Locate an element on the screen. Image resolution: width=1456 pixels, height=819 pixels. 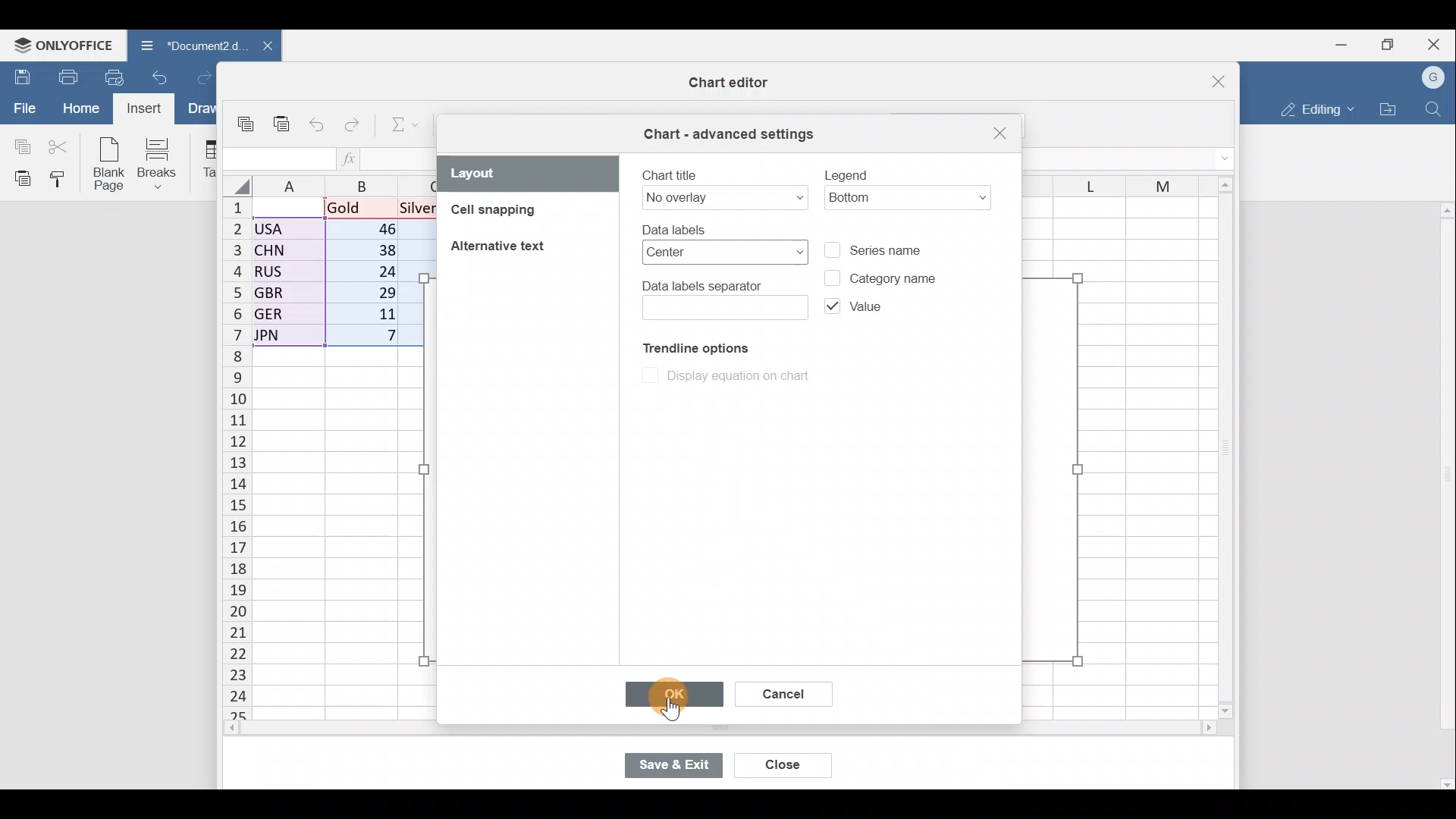
Find is located at coordinates (1436, 106).